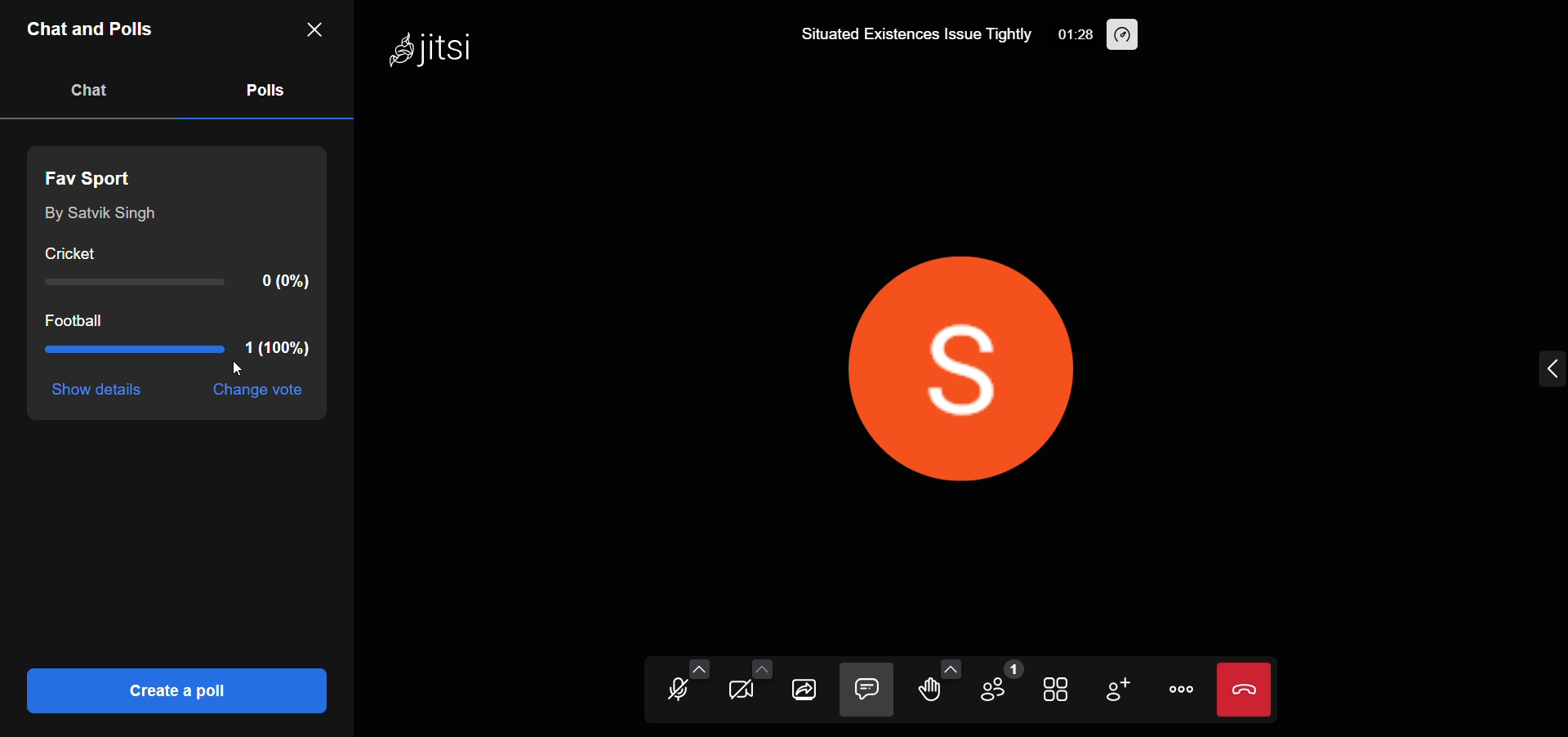  Describe the element at coordinates (665, 694) in the screenshot. I see `microphone` at that location.